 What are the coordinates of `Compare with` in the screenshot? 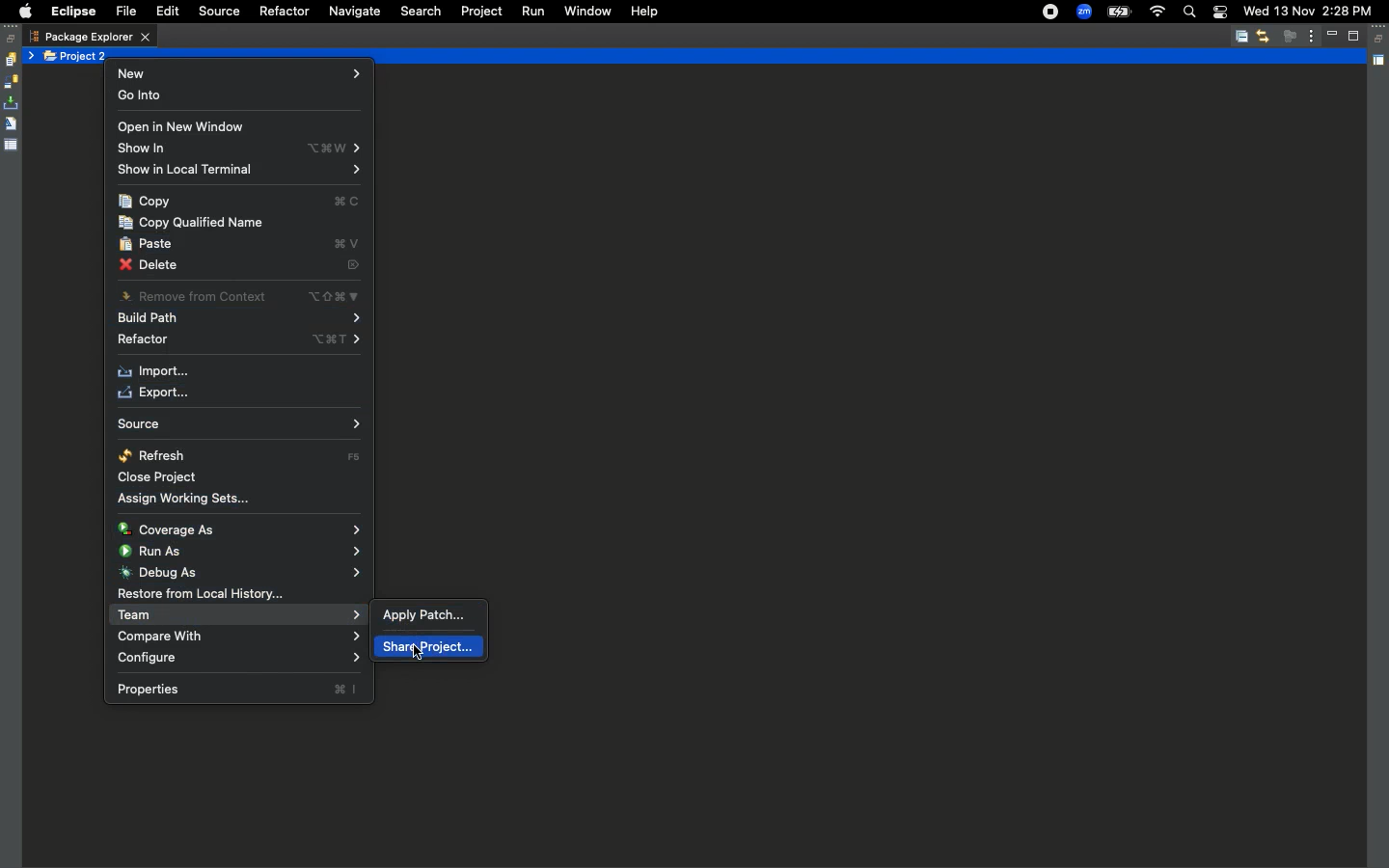 It's located at (237, 637).